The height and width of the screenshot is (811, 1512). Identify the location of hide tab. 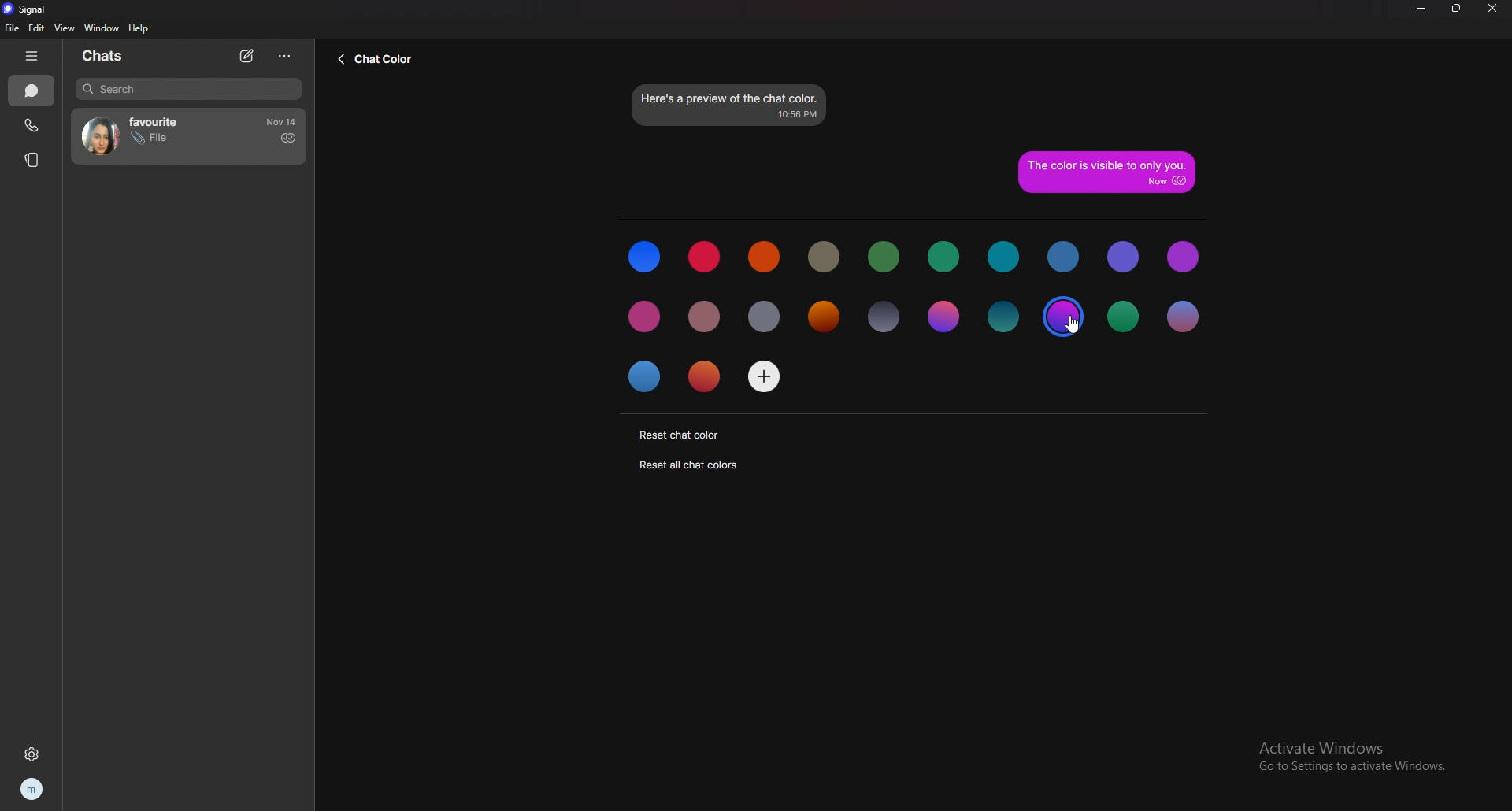
(31, 56).